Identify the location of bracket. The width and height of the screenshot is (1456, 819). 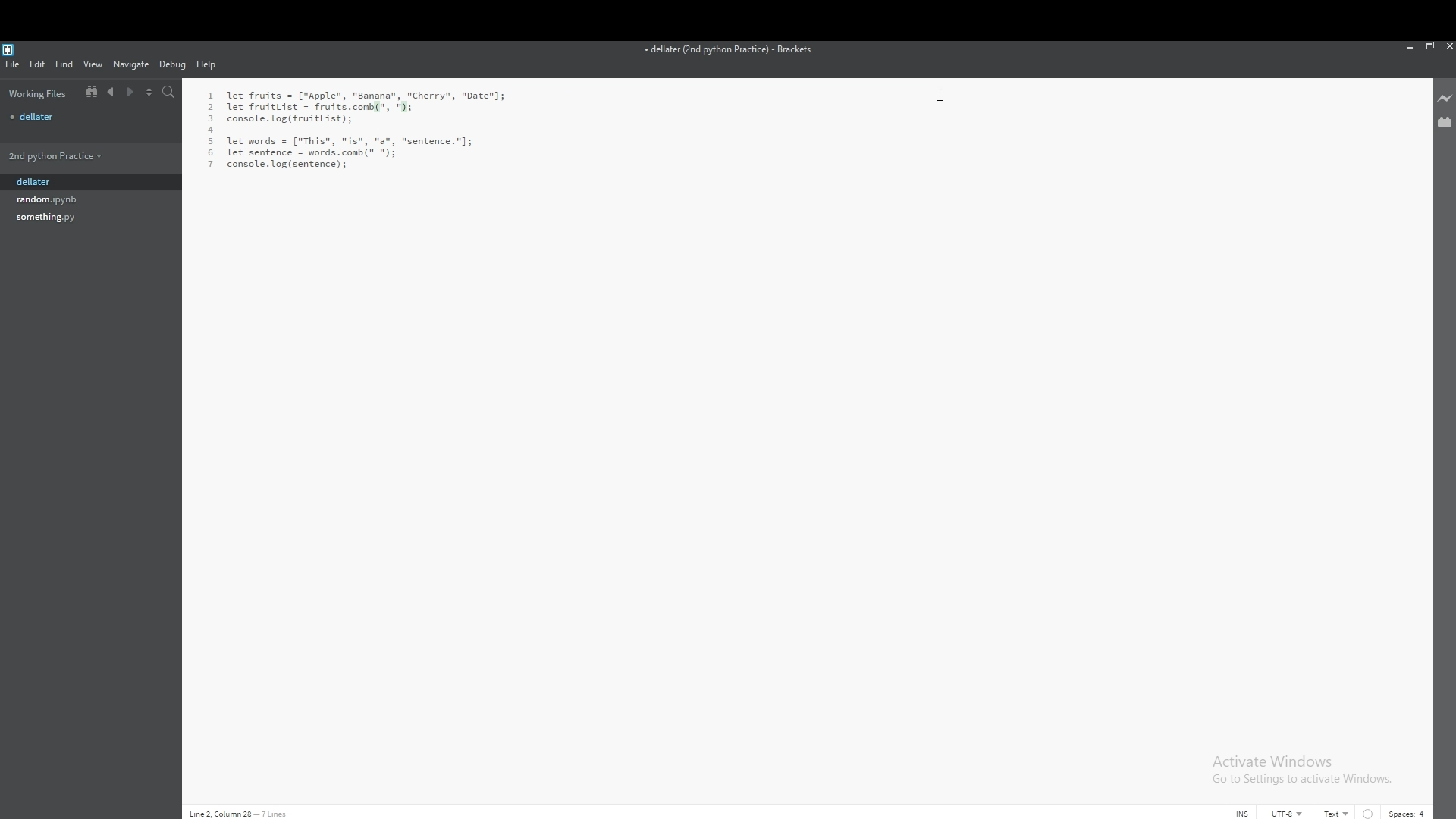
(11, 49).